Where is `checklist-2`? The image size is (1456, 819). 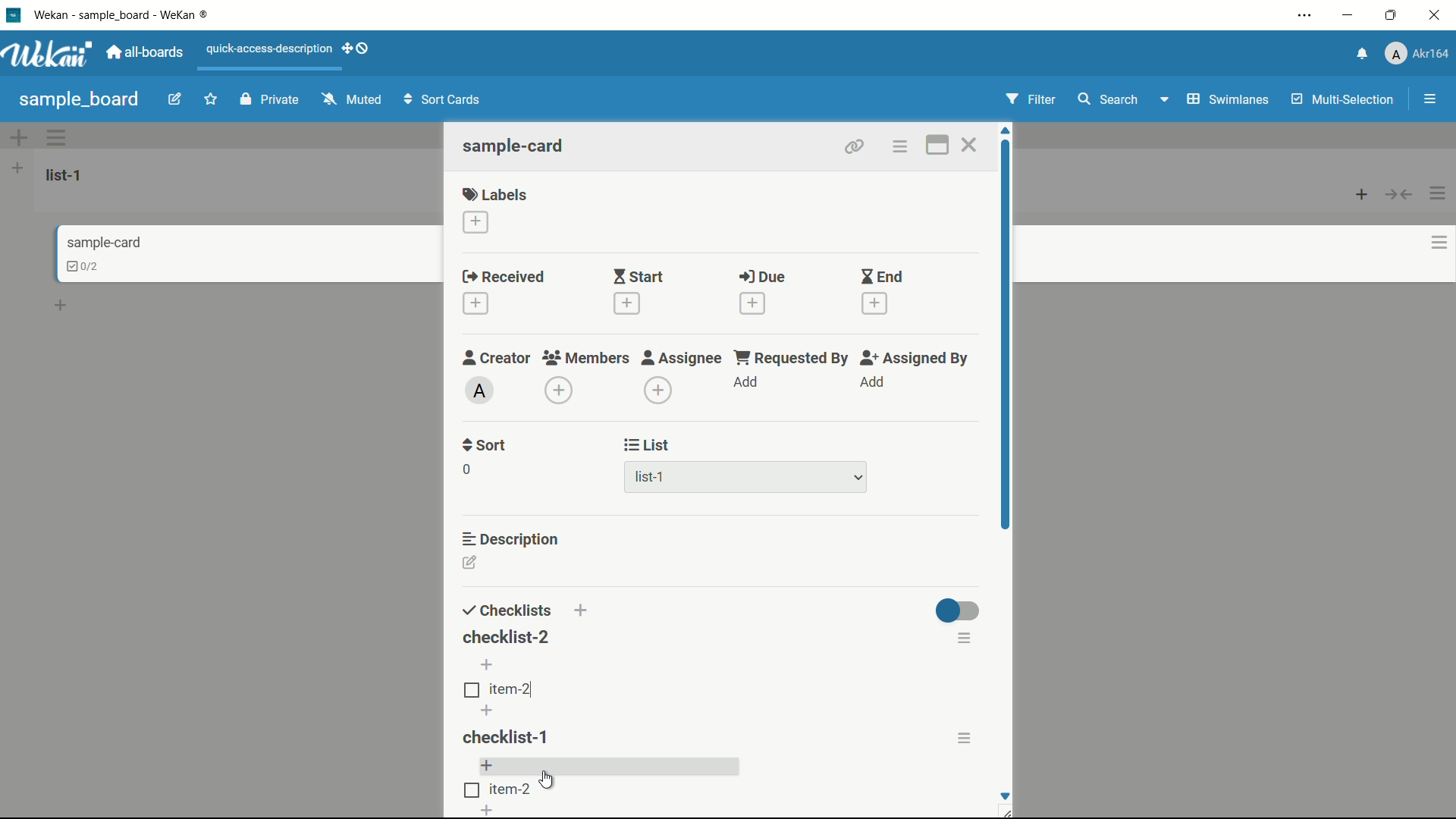 checklist-2 is located at coordinates (508, 636).